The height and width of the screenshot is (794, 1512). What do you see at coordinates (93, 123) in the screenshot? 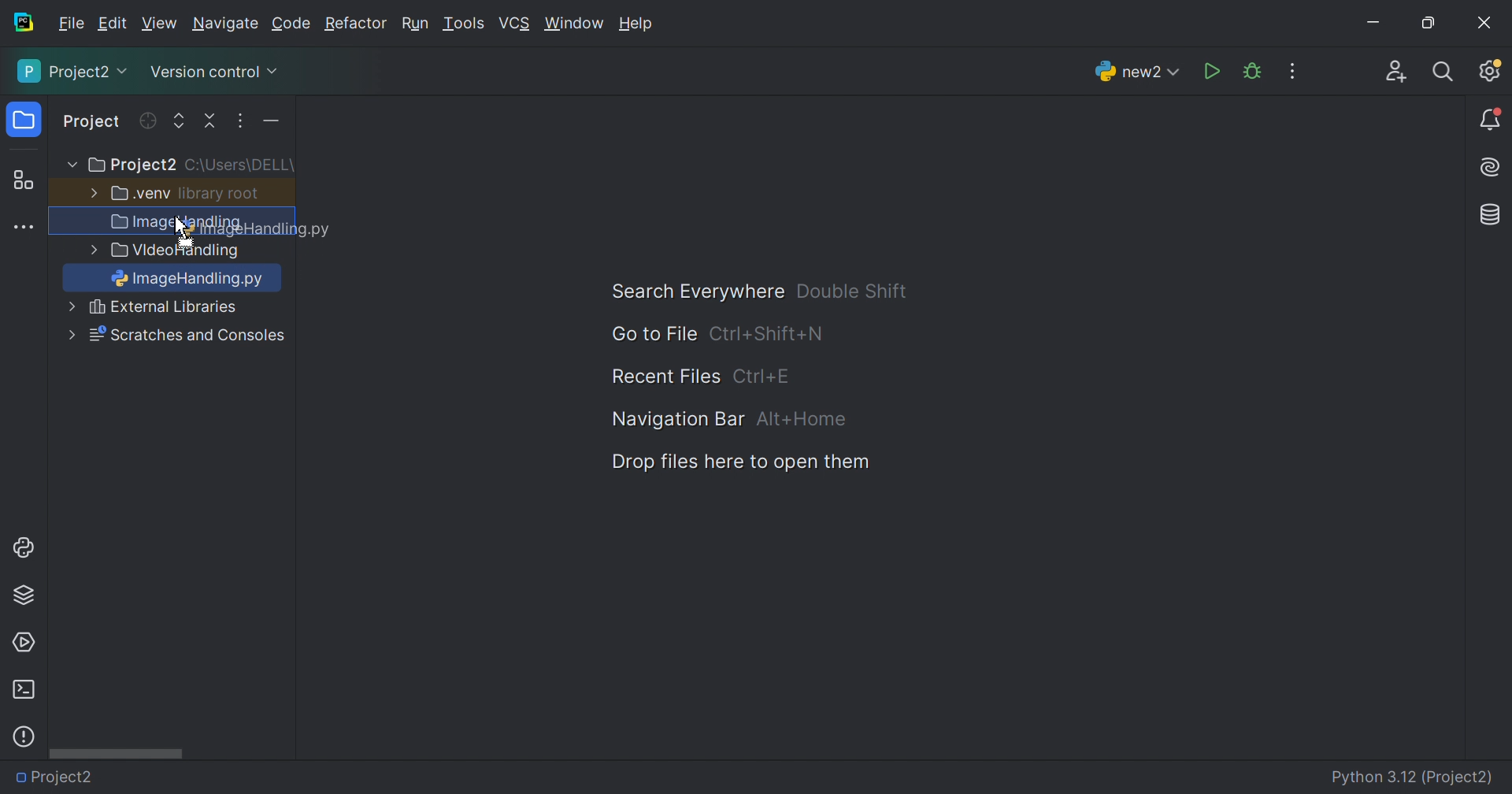
I see `Project` at bounding box center [93, 123].